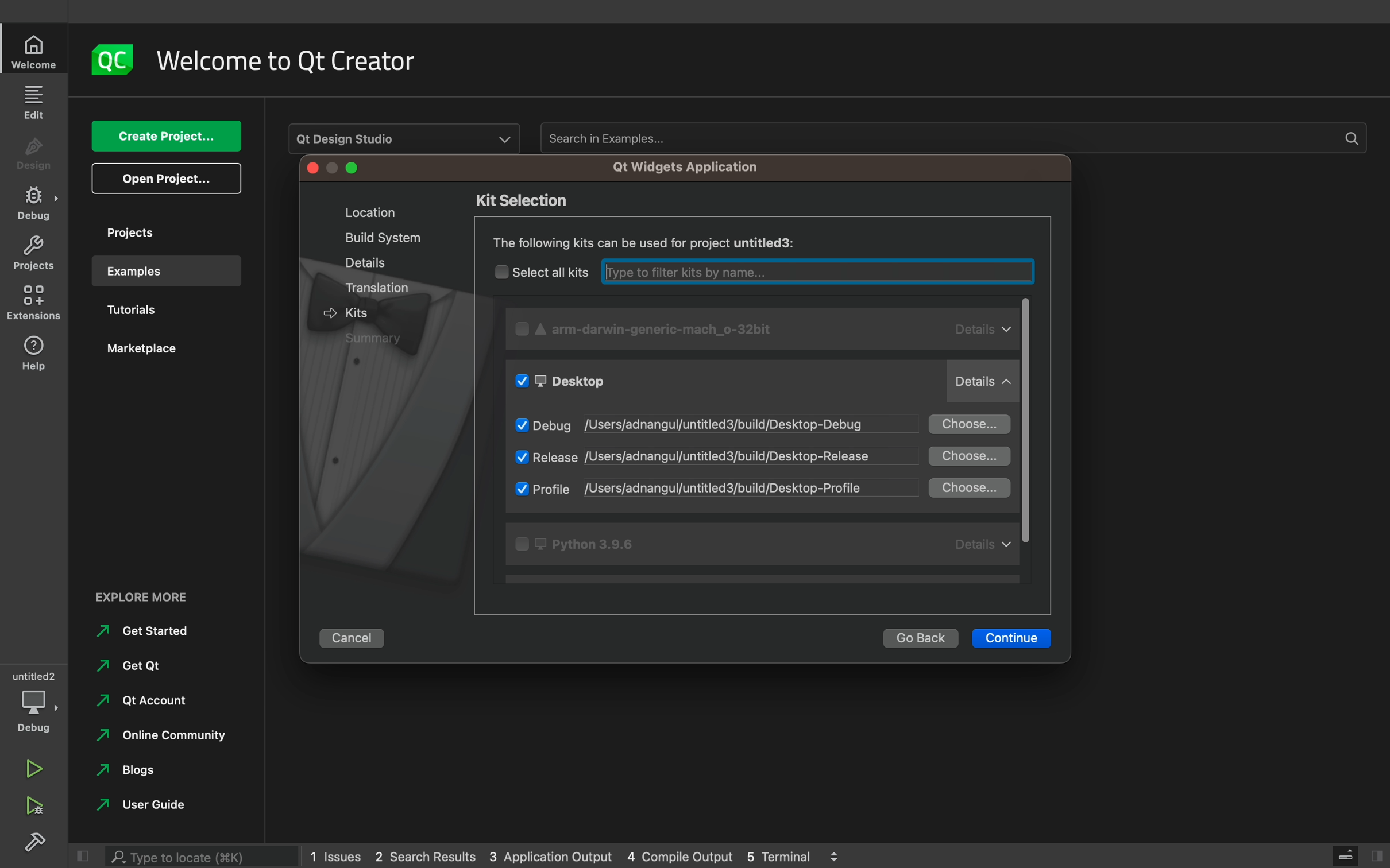 The width and height of the screenshot is (1390, 868). I want to click on create, so click(165, 137).